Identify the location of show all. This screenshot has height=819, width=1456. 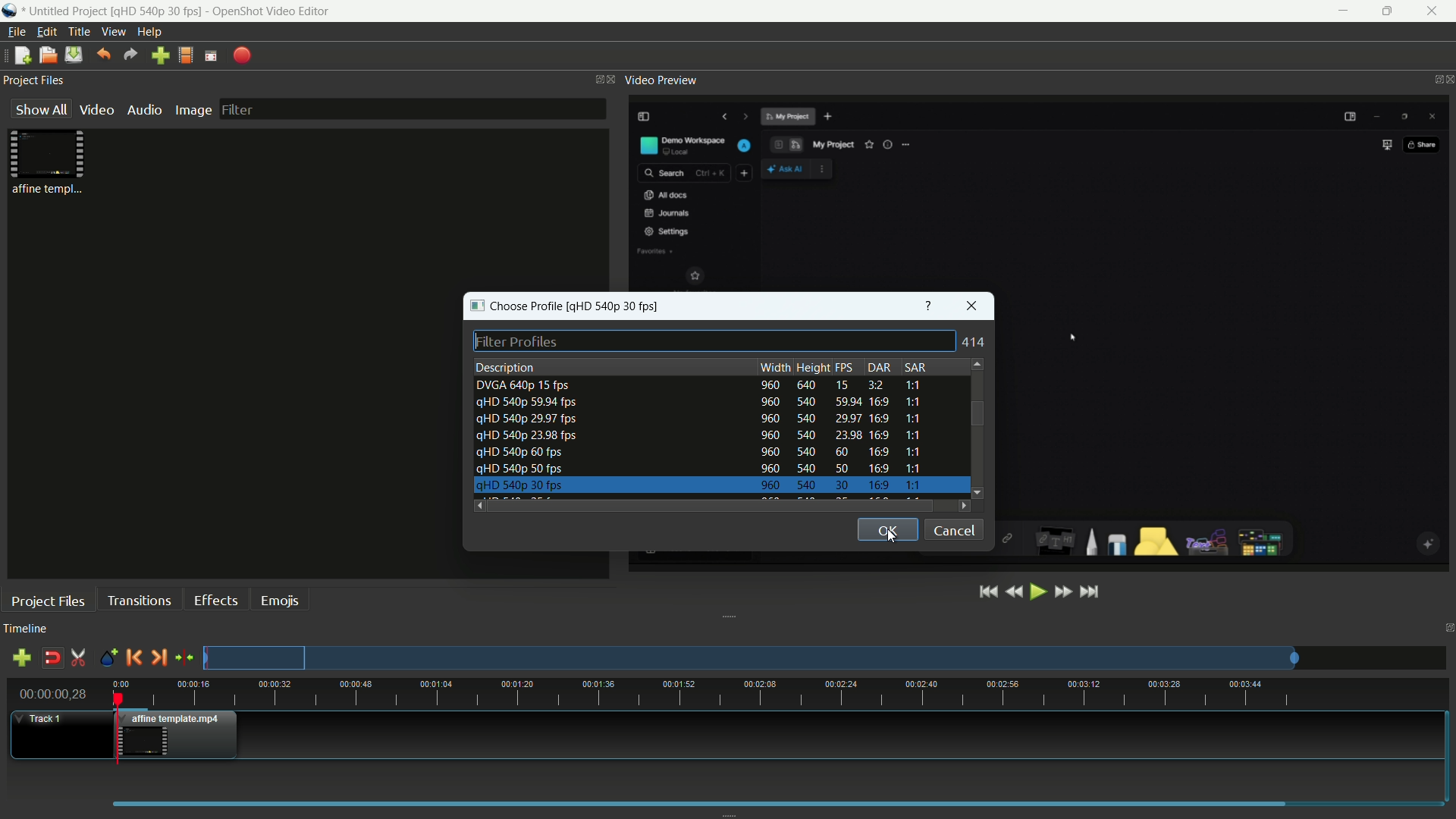
(41, 108).